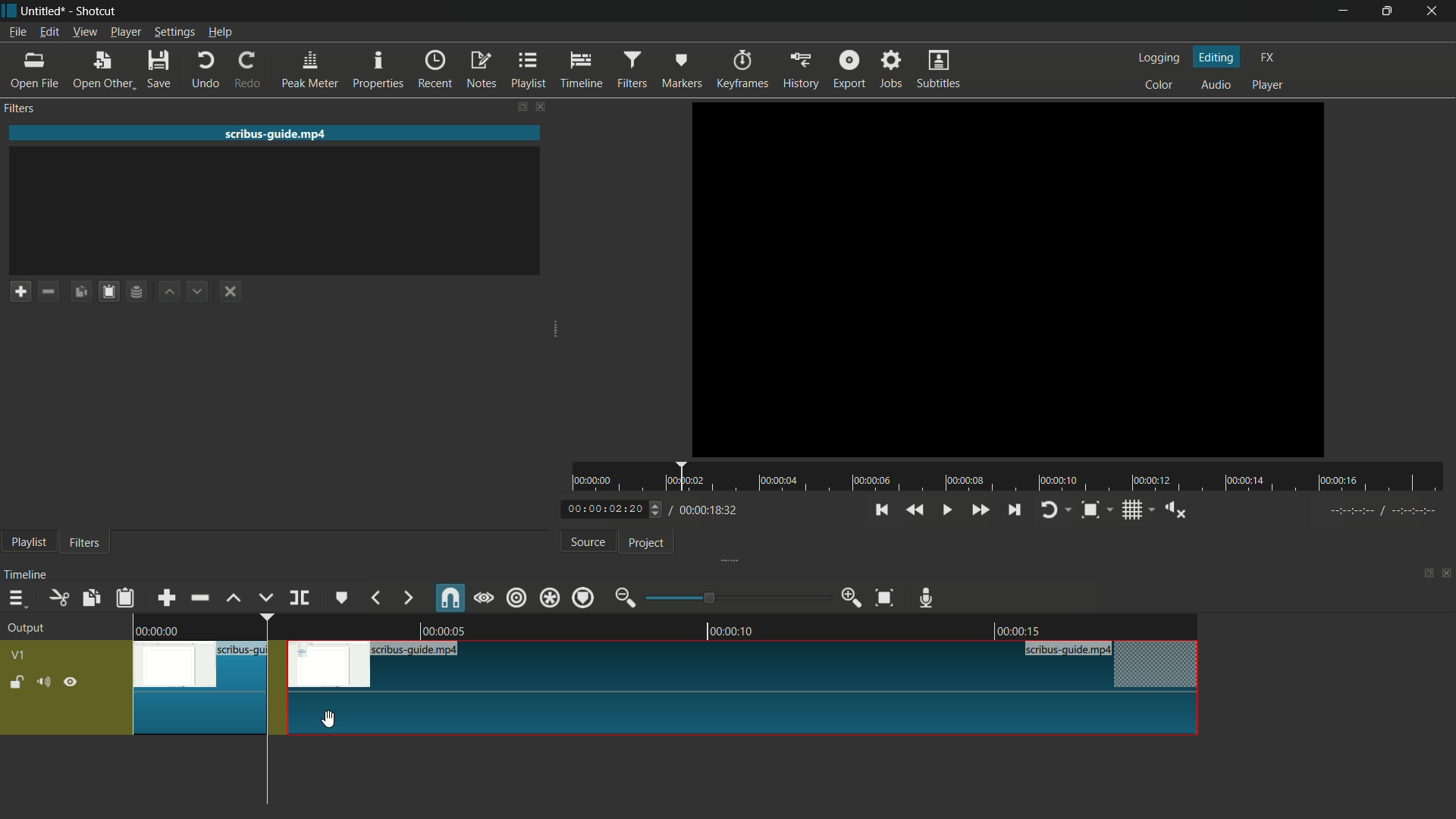 The image size is (1456, 819). I want to click on view menu, so click(86, 32).